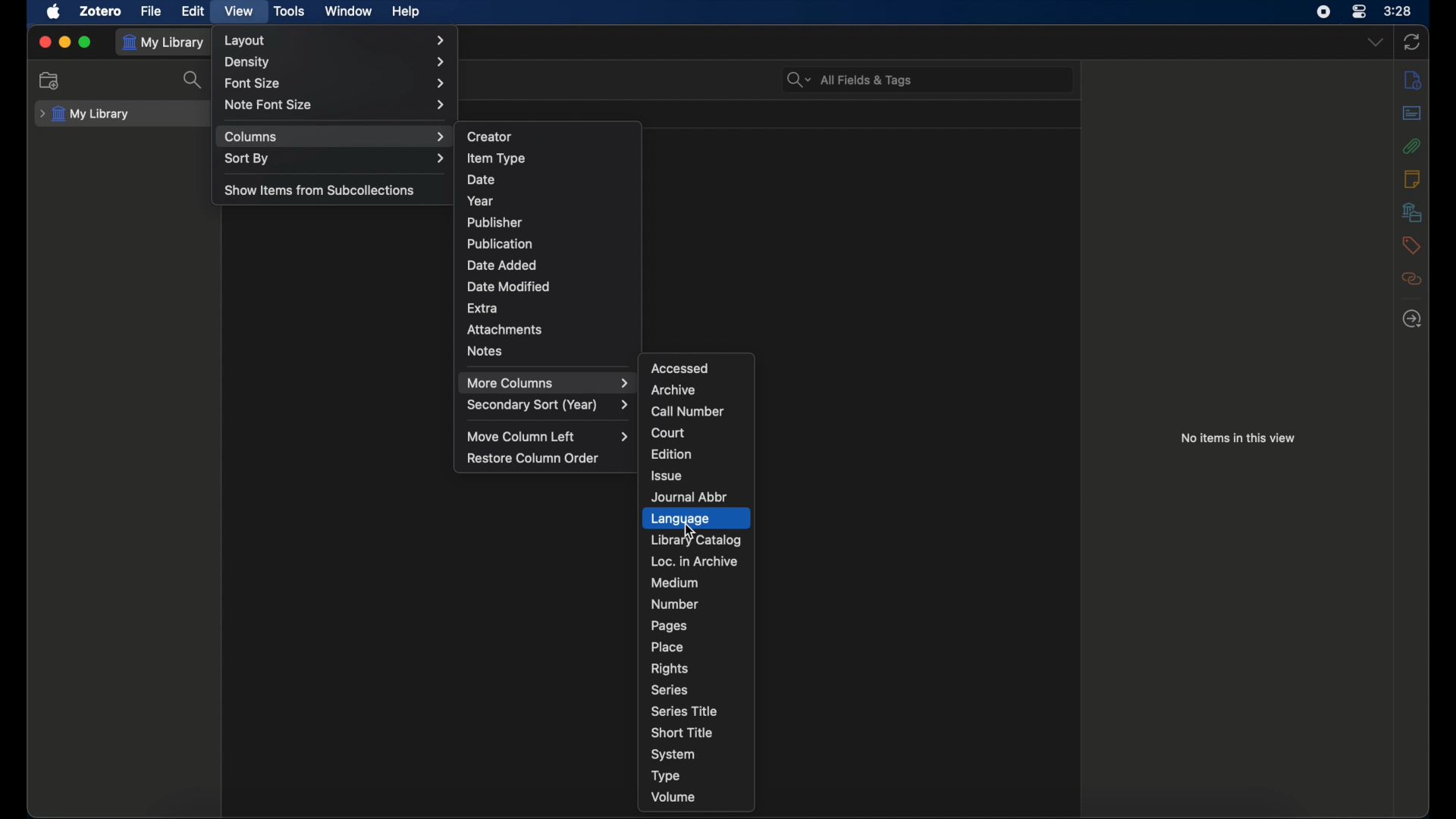 This screenshot has width=1456, height=819. What do you see at coordinates (850, 80) in the screenshot?
I see `all fields & tags` at bounding box center [850, 80].